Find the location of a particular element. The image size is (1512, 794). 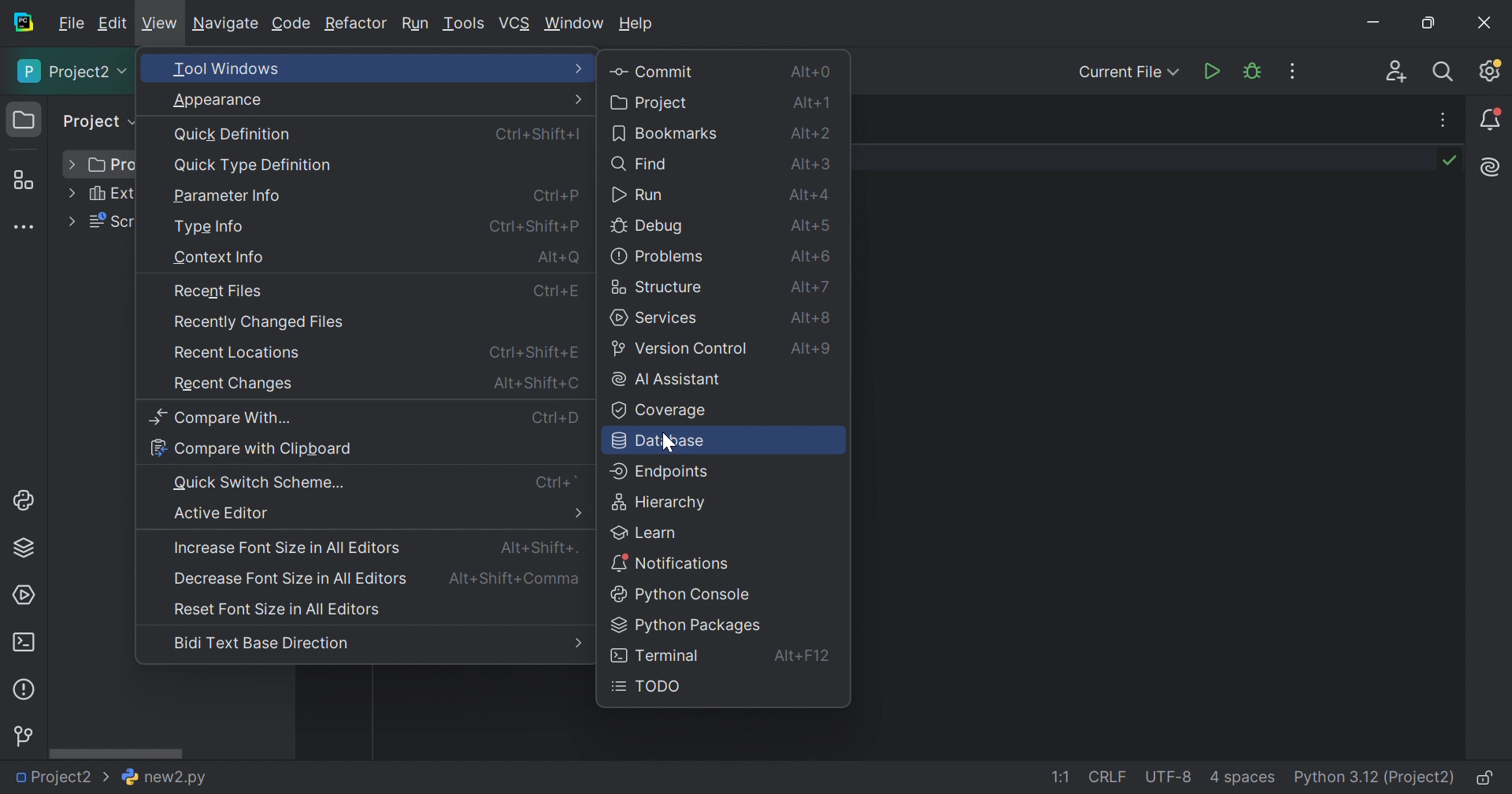

Python packages is located at coordinates (685, 626).